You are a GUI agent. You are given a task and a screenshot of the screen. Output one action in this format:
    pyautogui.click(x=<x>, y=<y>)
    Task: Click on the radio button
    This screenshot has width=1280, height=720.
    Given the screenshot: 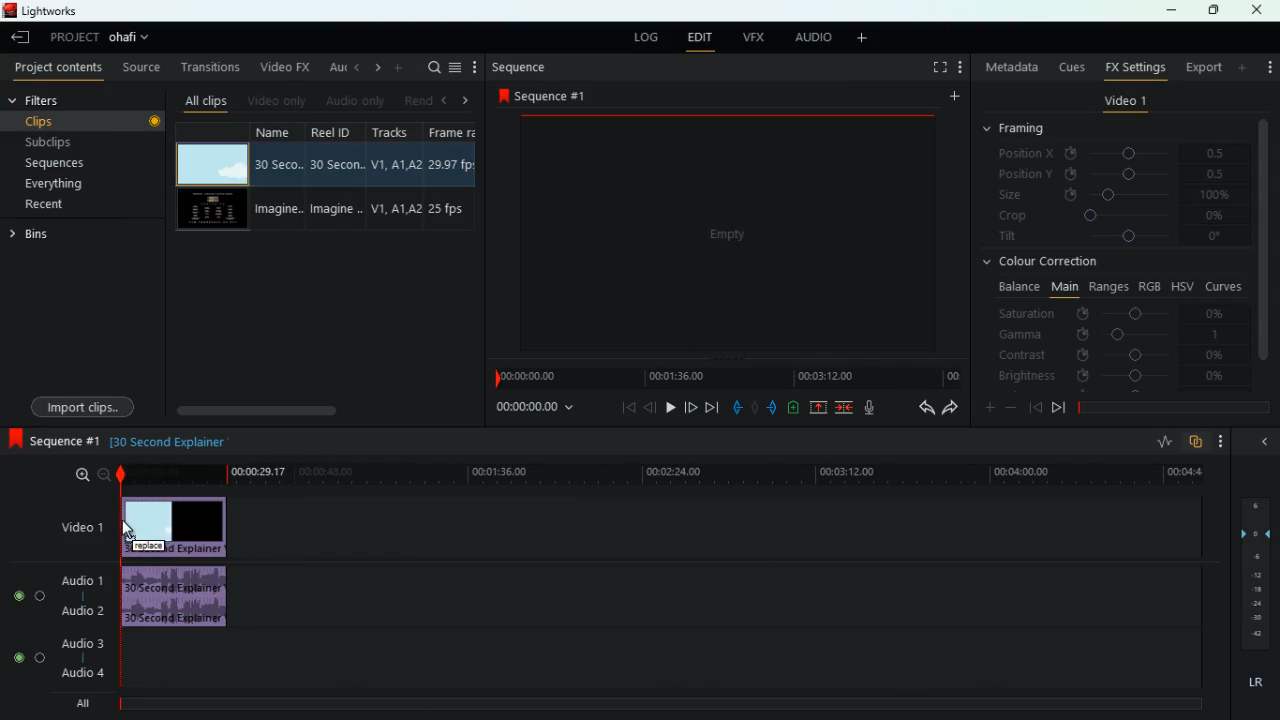 What is the action you would take?
    pyautogui.click(x=25, y=621)
    